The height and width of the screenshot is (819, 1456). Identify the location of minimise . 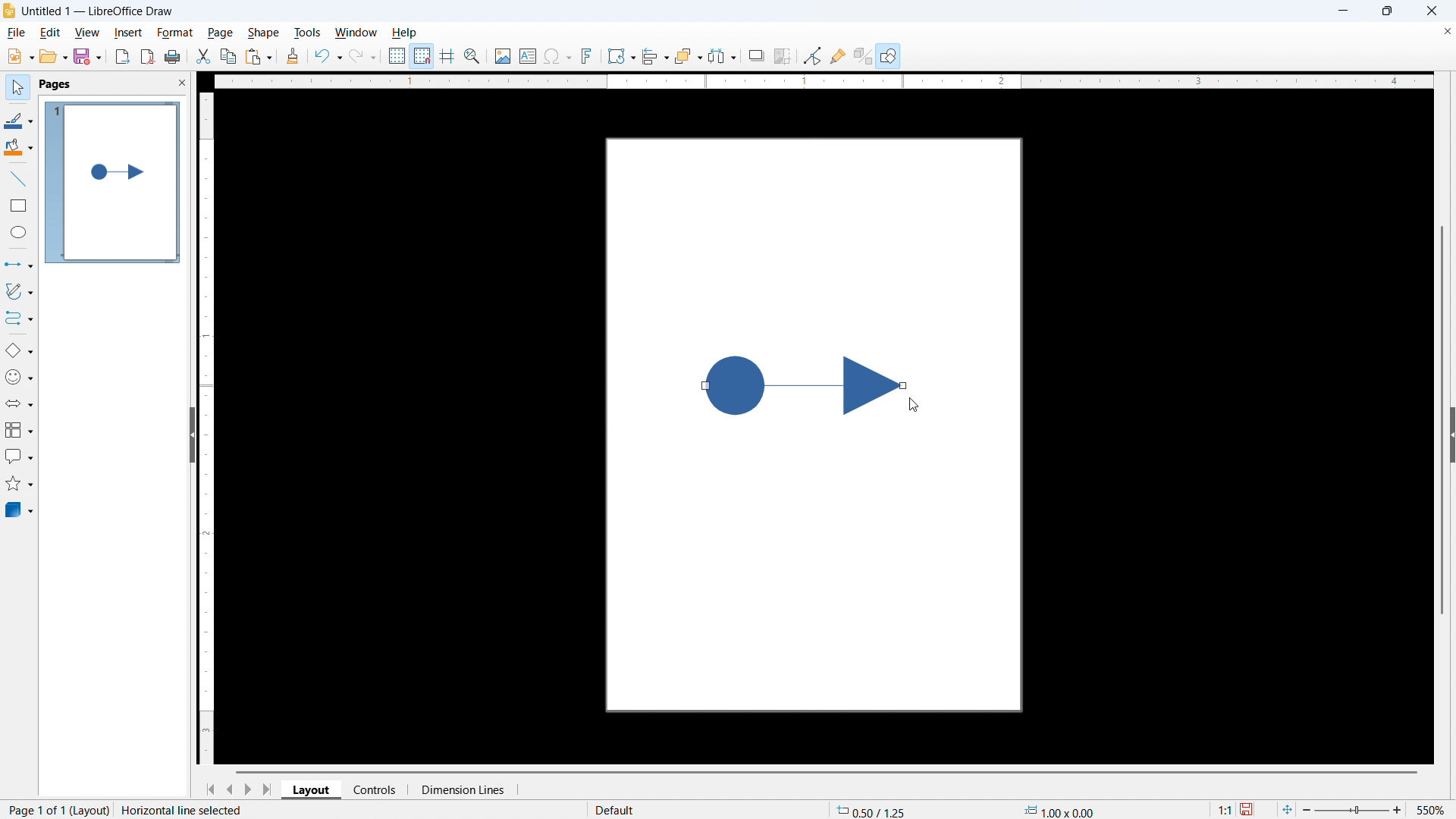
(1342, 11).